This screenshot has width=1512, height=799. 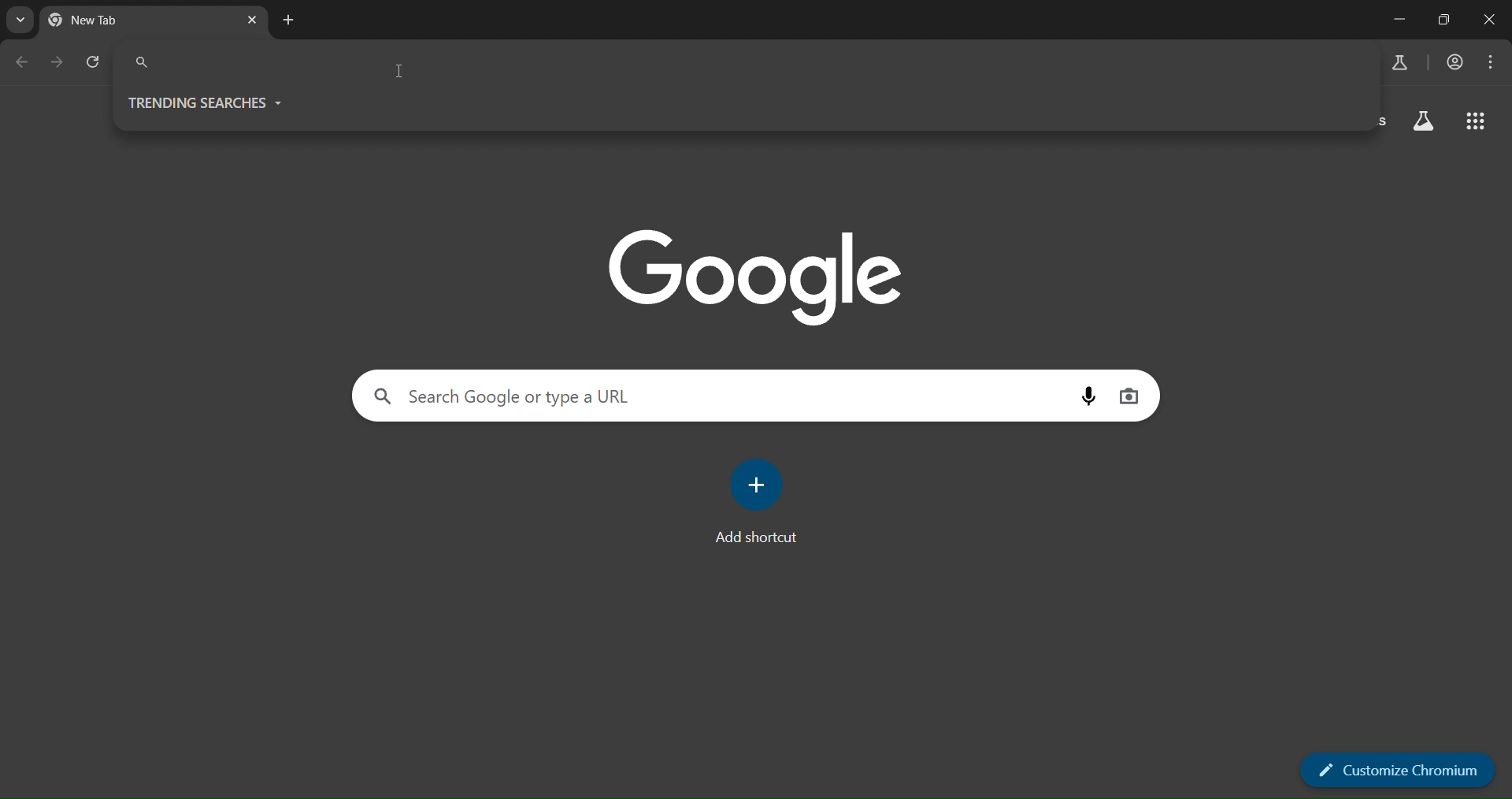 What do you see at coordinates (1424, 120) in the screenshot?
I see `search labs` at bounding box center [1424, 120].